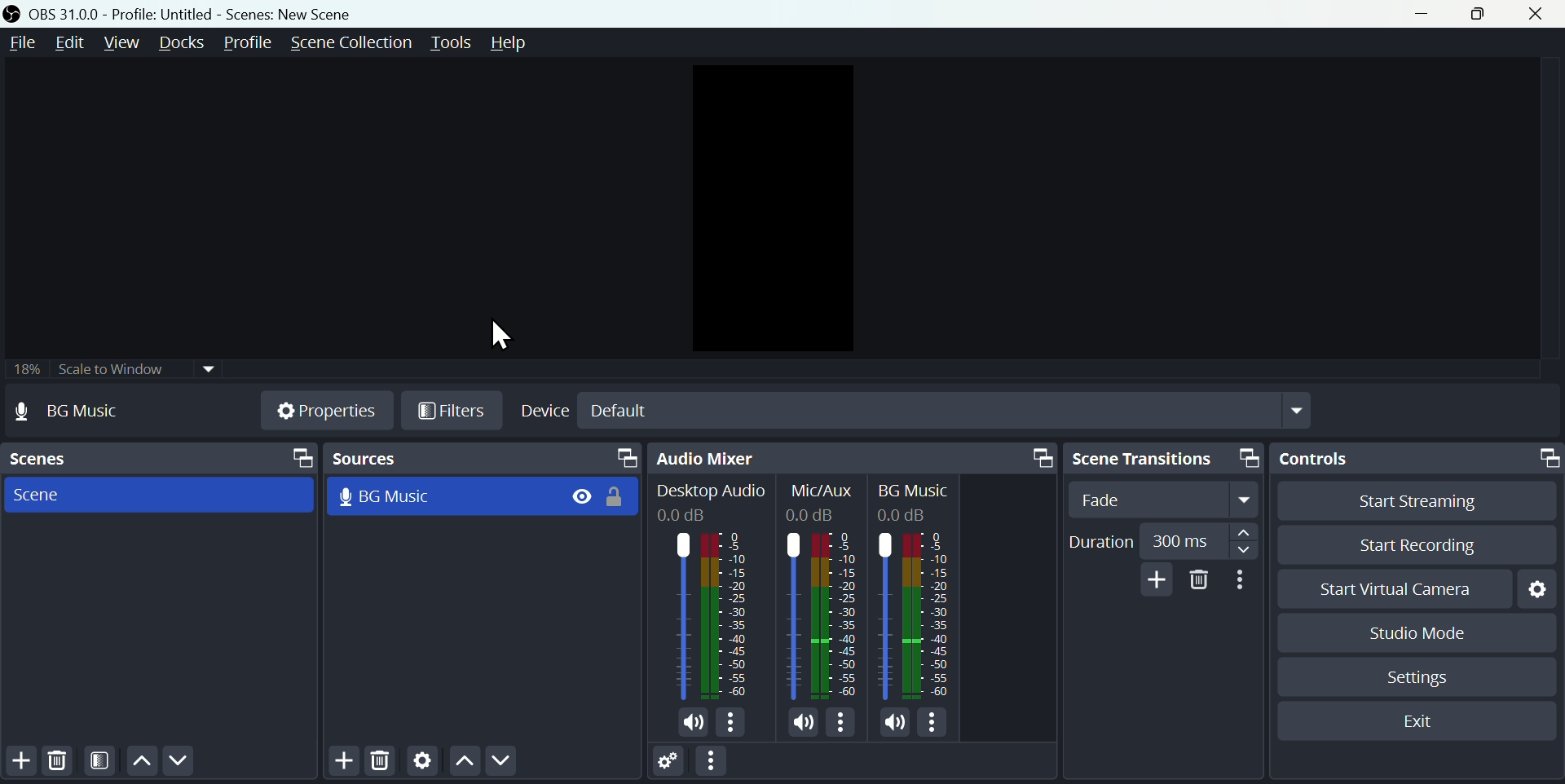 This screenshot has height=784, width=1565. Describe the element at coordinates (504, 337) in the screenshot. I see `Cursor` at that location.